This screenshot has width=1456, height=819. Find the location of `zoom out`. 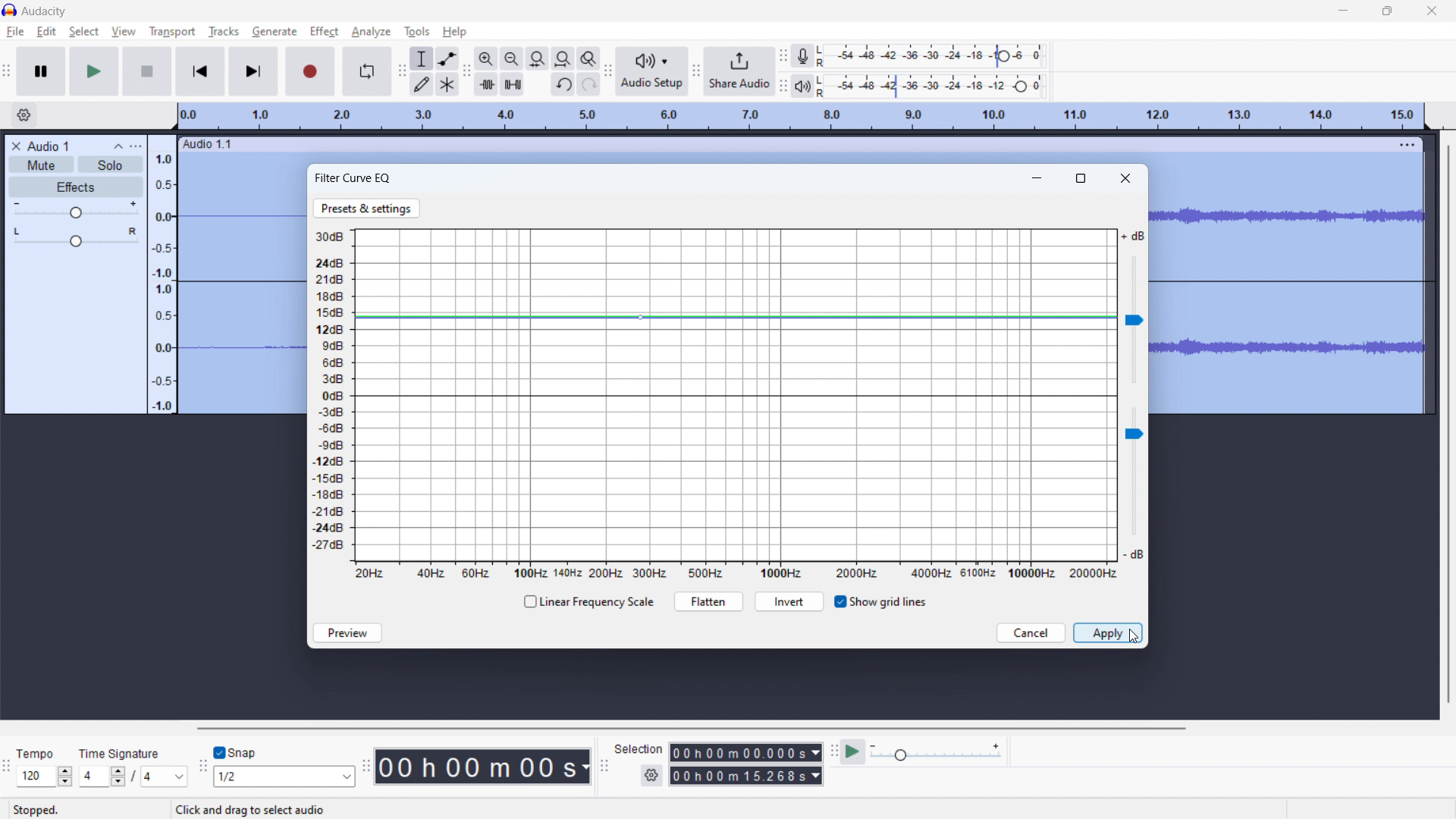

zoom out is located at coordinates (511, 58).